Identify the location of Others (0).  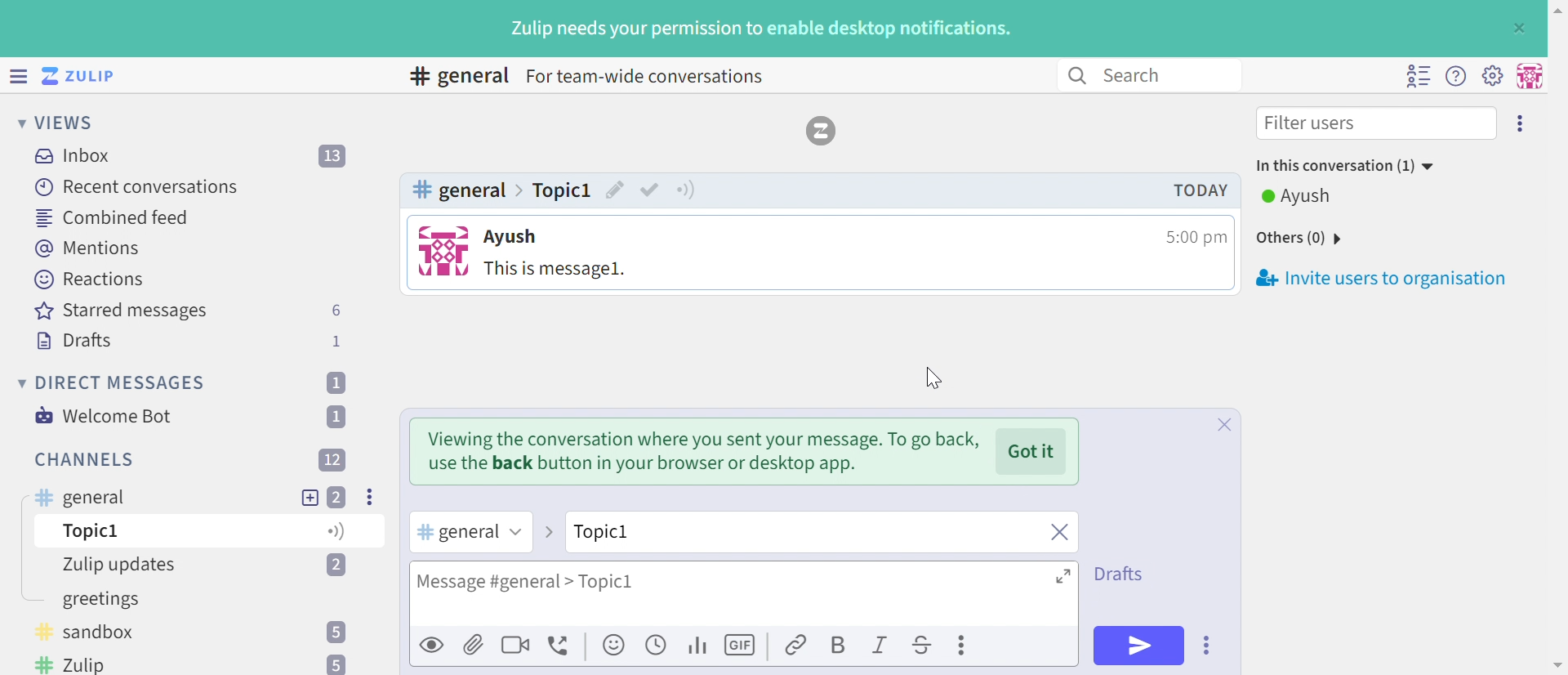
(1285, 237).